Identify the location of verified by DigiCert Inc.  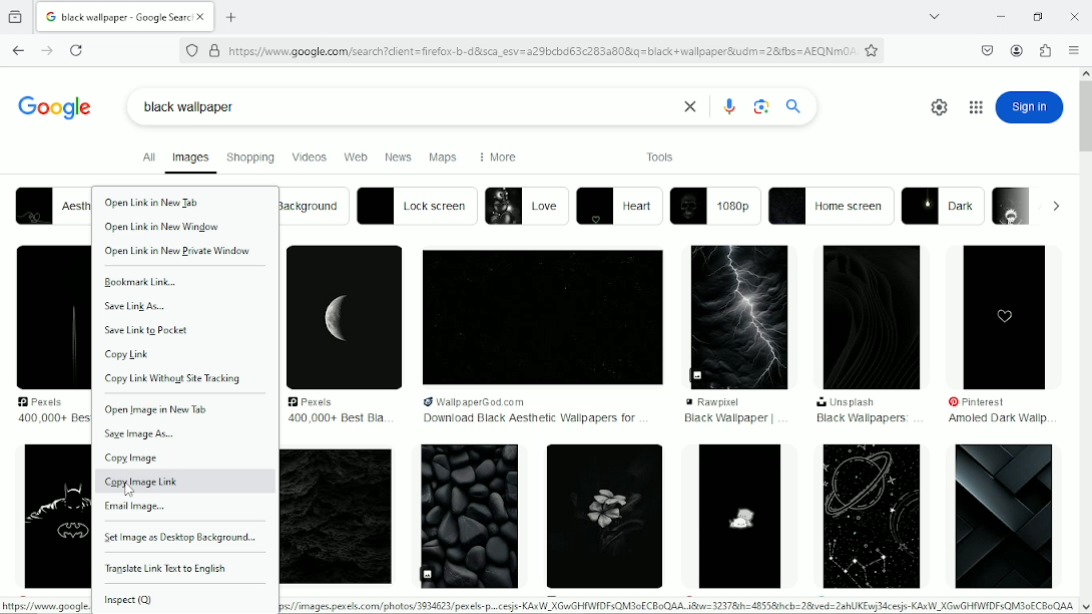
(214, 50).